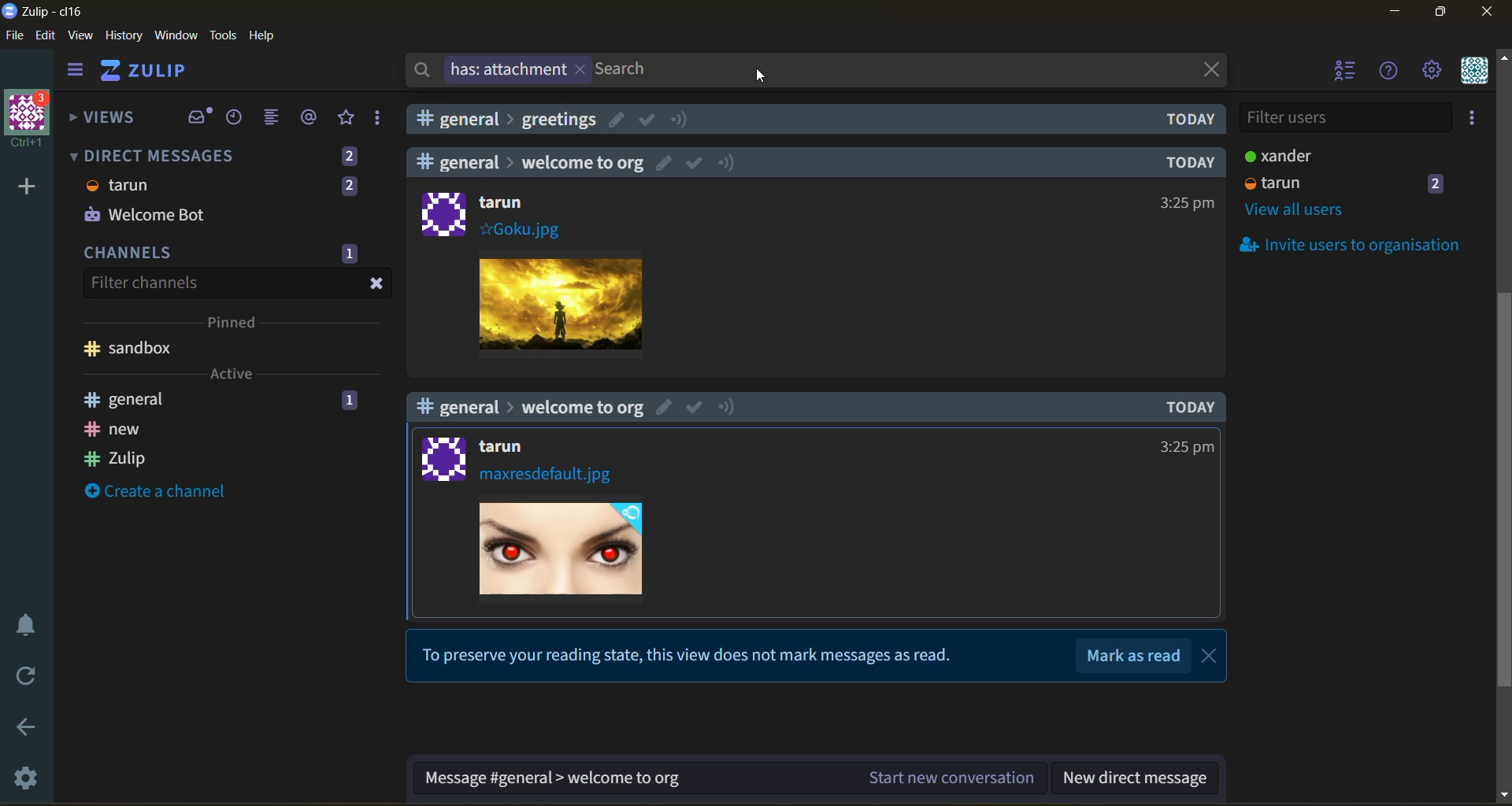 The height and width of the screenshot is (806, 1512). I want to click on 3:25pm, so click(1185, 446).